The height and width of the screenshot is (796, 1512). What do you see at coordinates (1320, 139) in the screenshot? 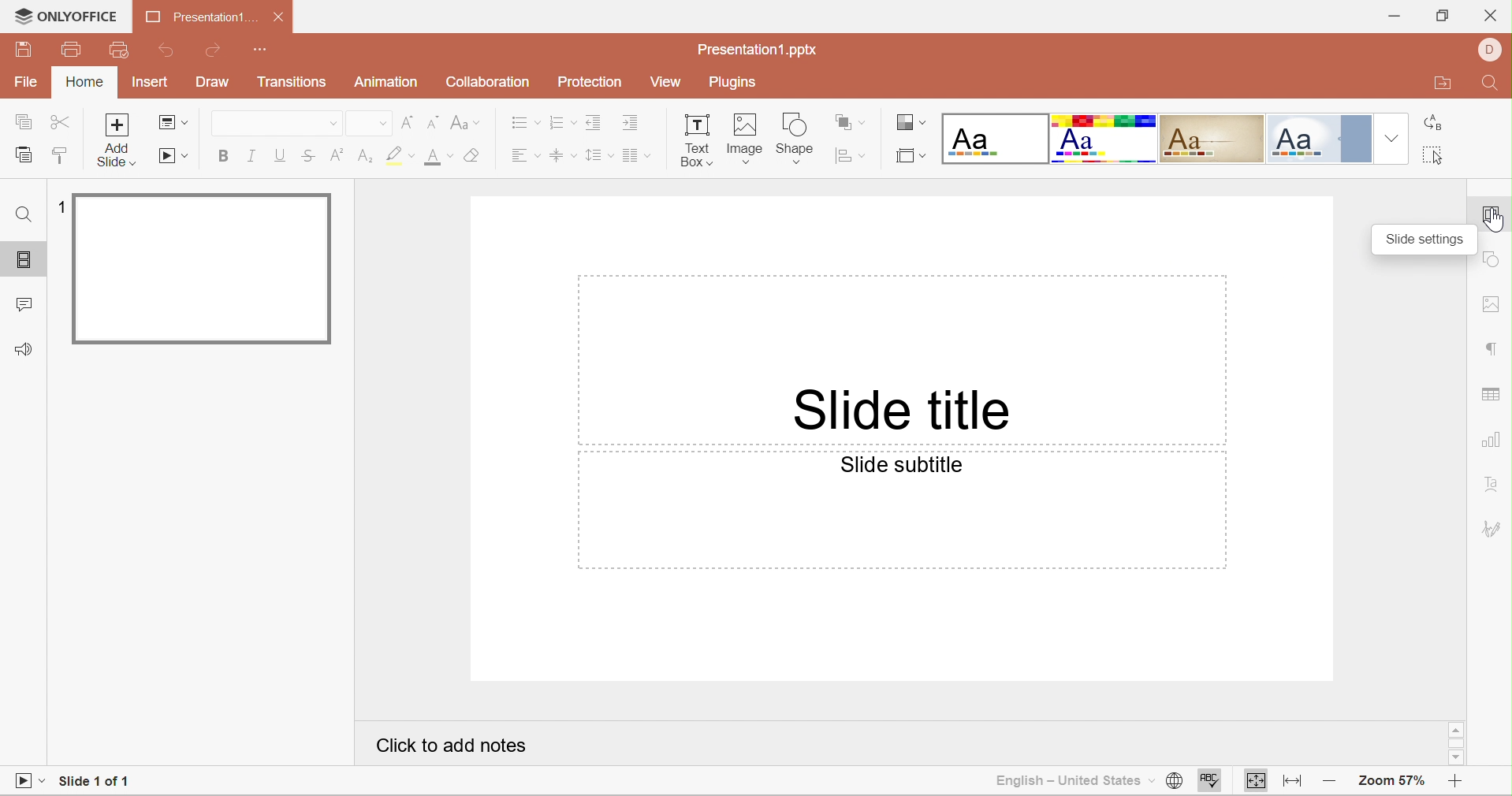
I see `Official` at bounding box center [1320, 139].